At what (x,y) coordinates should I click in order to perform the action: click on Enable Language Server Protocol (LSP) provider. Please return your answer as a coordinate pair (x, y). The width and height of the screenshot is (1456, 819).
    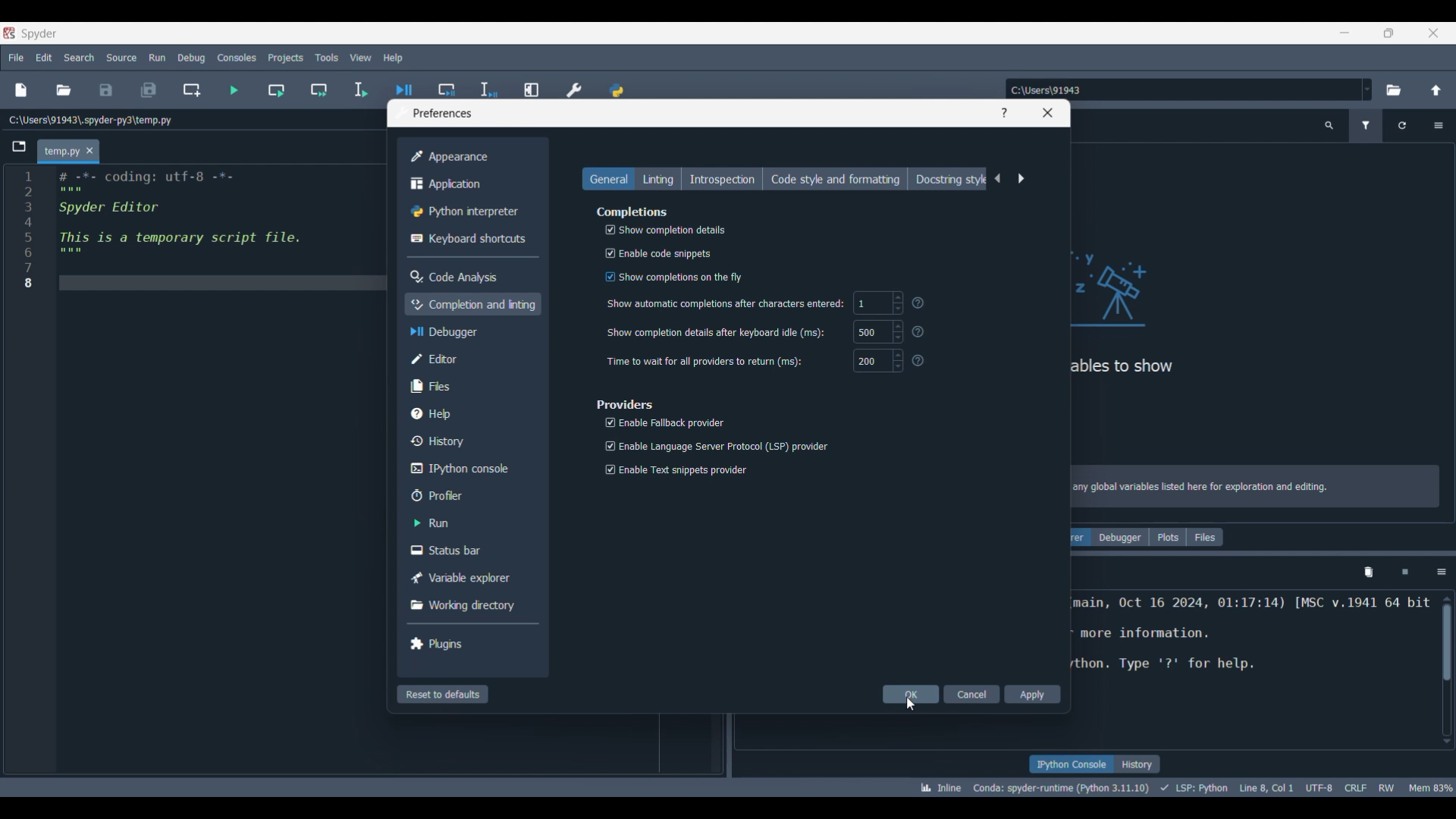
    Looking at the image, I should click on (714, 444).